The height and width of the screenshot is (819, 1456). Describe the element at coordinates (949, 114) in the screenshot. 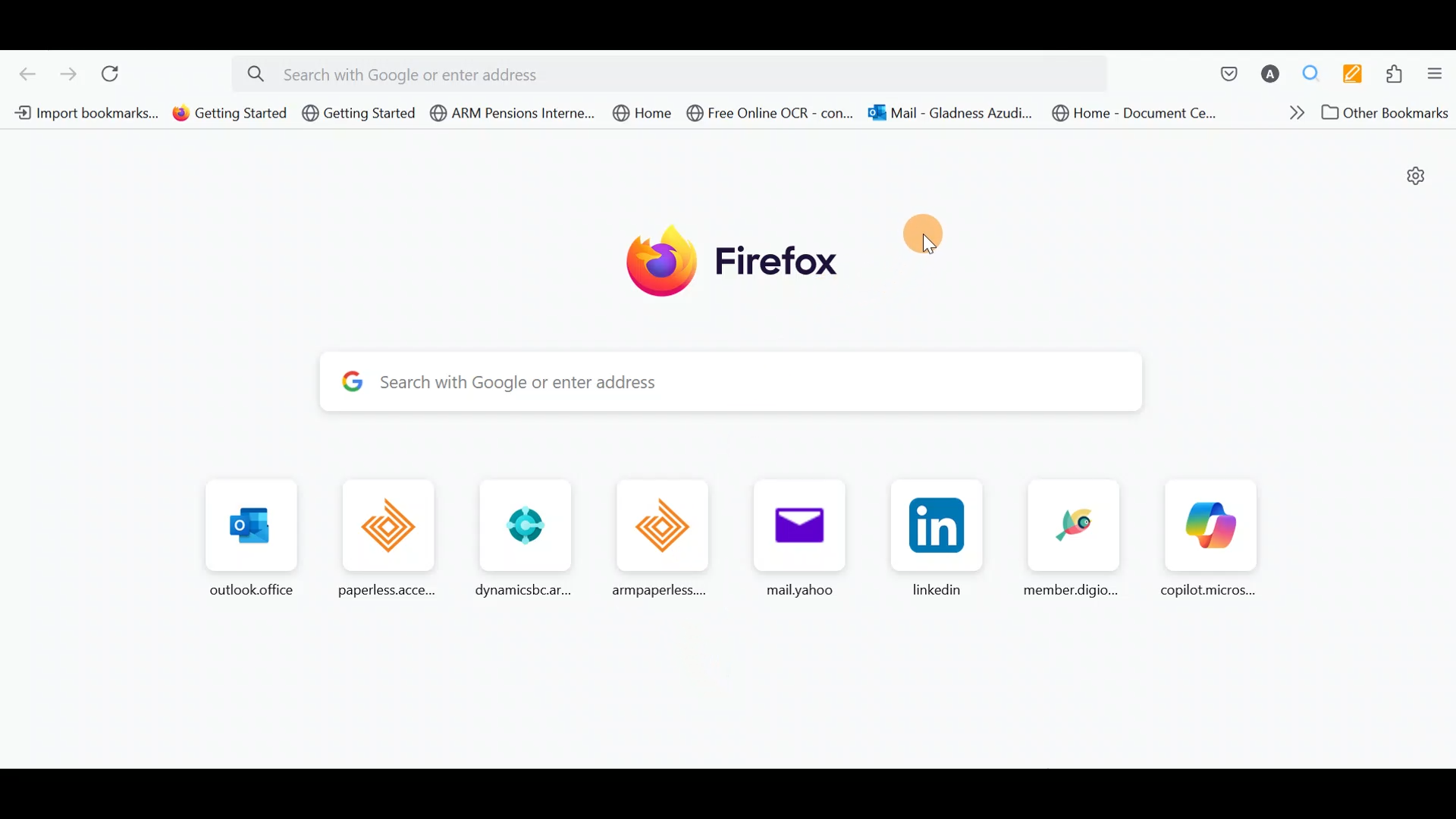

I see `Bookmark 7` at that location.